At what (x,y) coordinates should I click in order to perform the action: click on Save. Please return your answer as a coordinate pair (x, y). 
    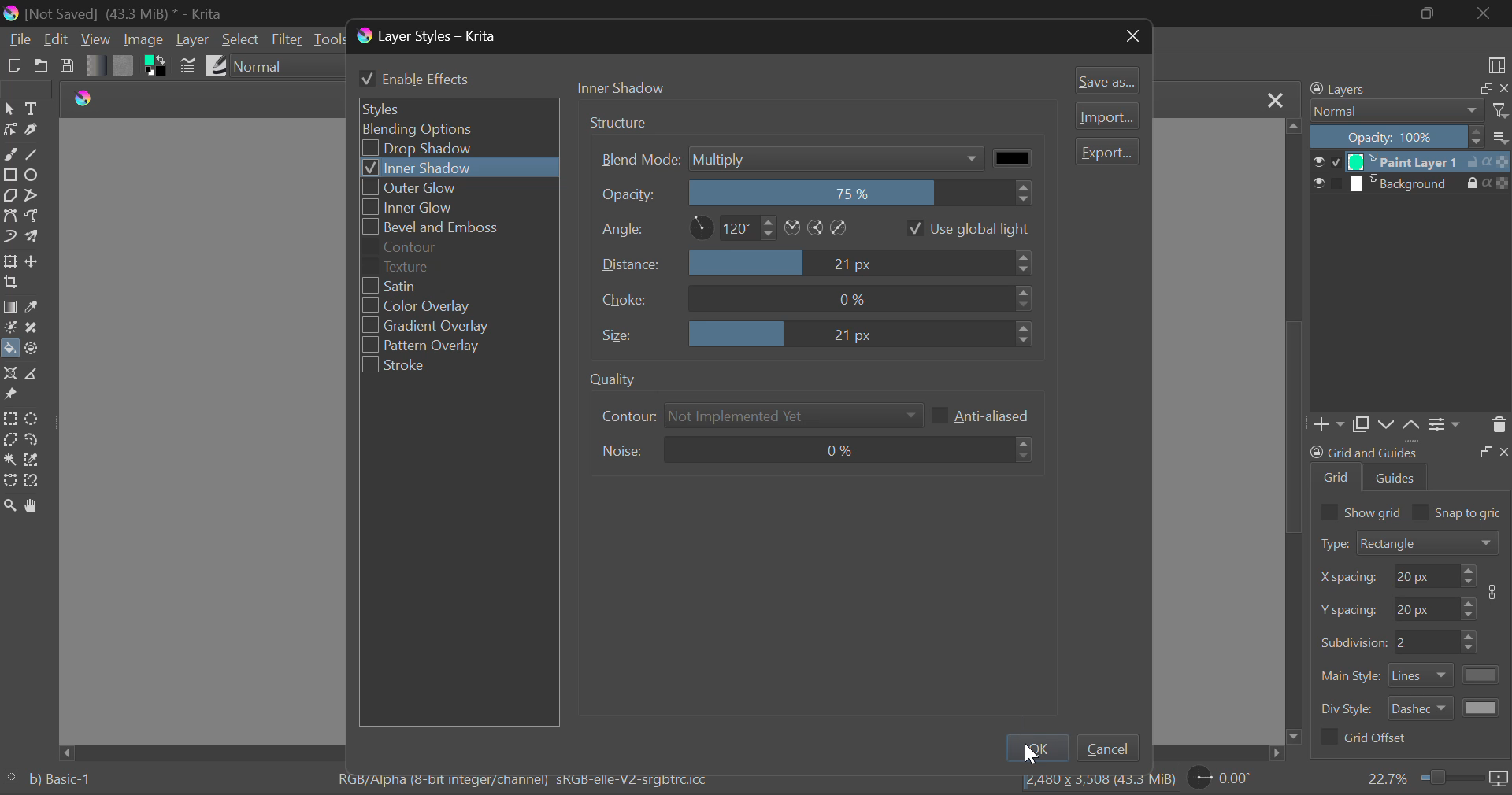
    Looking at the image, I should click on (68, 68).